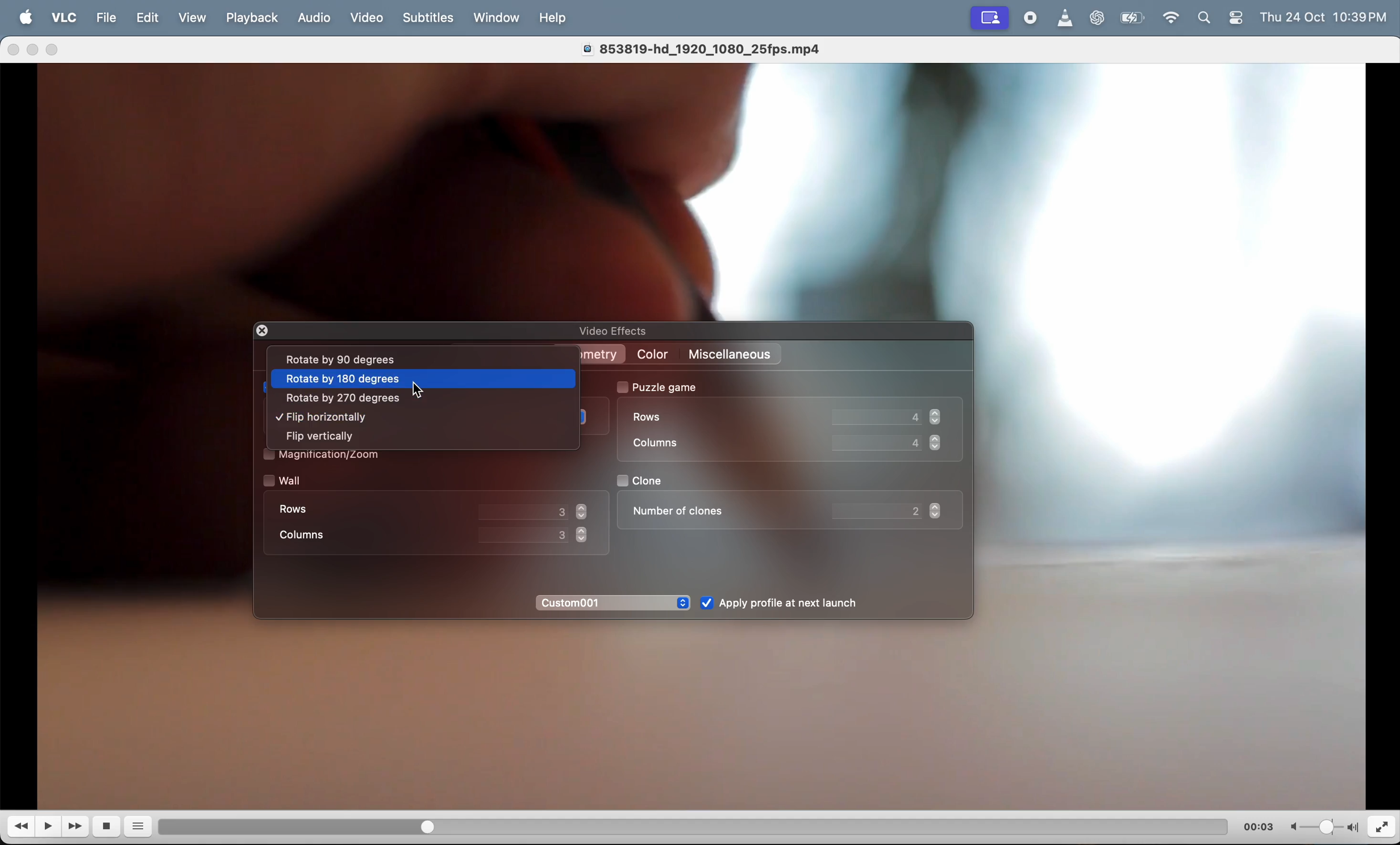 Image resolution: width=1400 pixels, height=845 pixels. What do you see at coordinates (678, 825) in the screenshot?
I see `duration` at bounding box center [678, 825].